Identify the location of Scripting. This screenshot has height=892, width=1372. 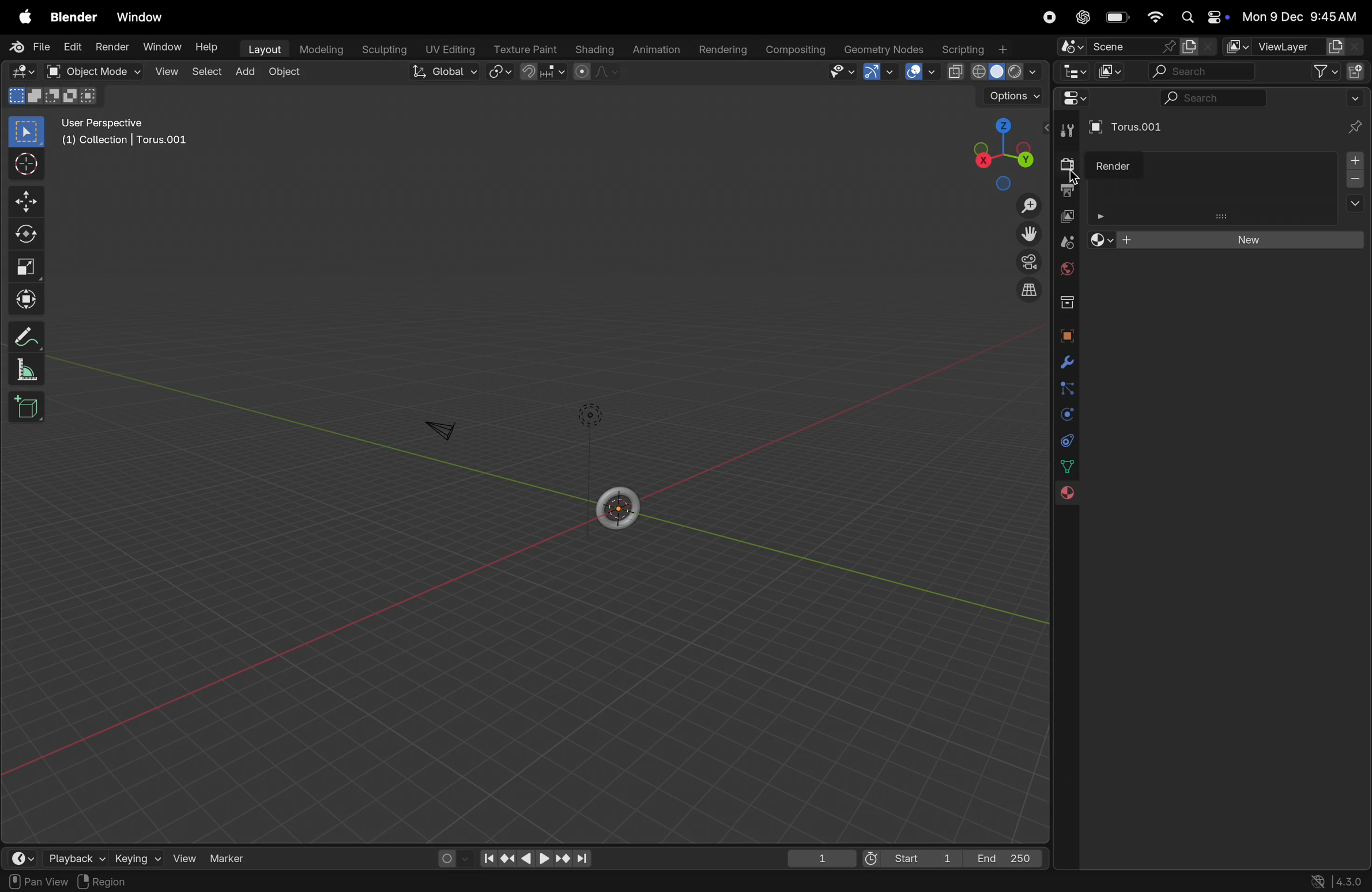
(979, 49).